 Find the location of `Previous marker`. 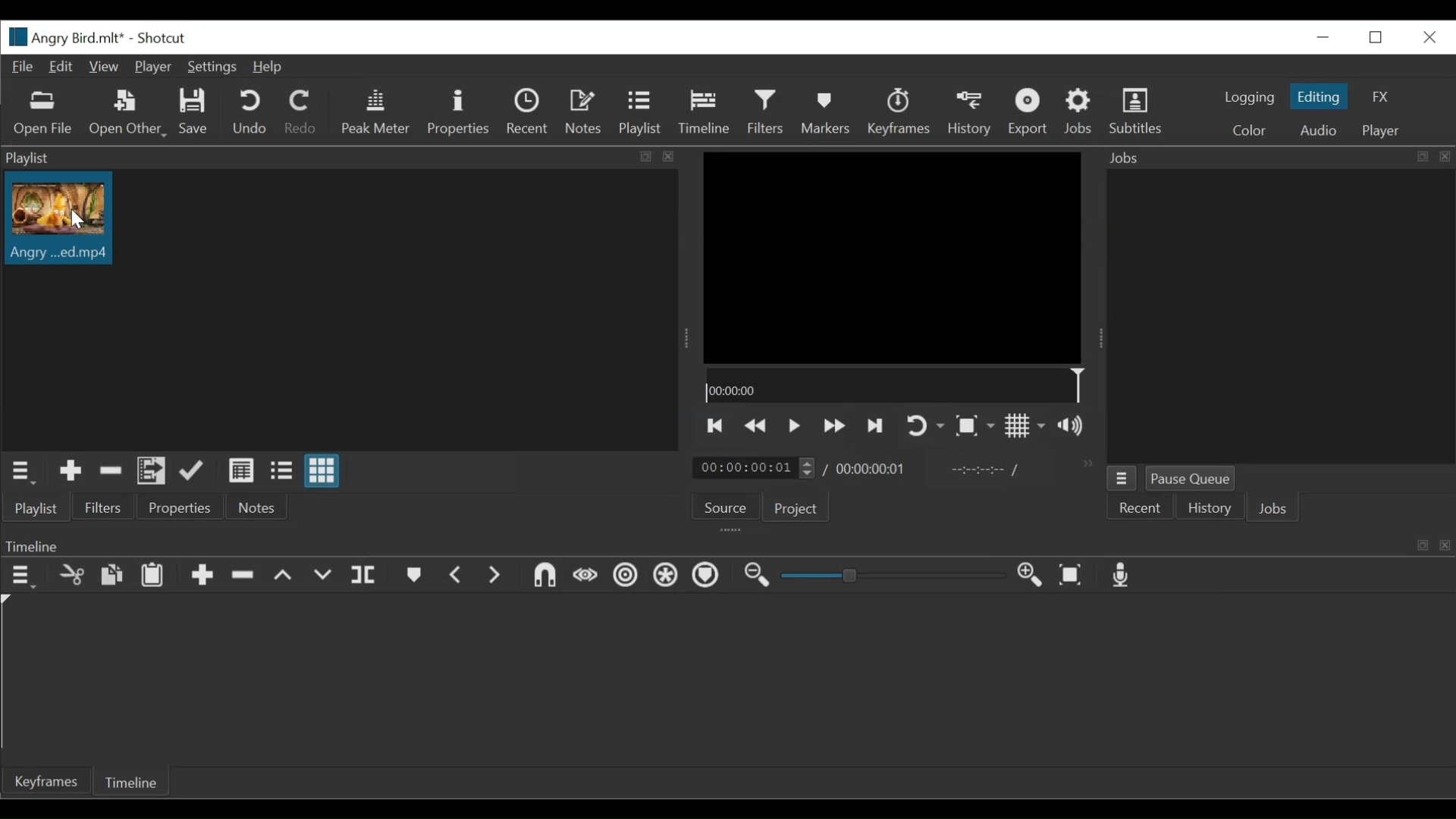

Previous marker is located at coordinates (457, 576).